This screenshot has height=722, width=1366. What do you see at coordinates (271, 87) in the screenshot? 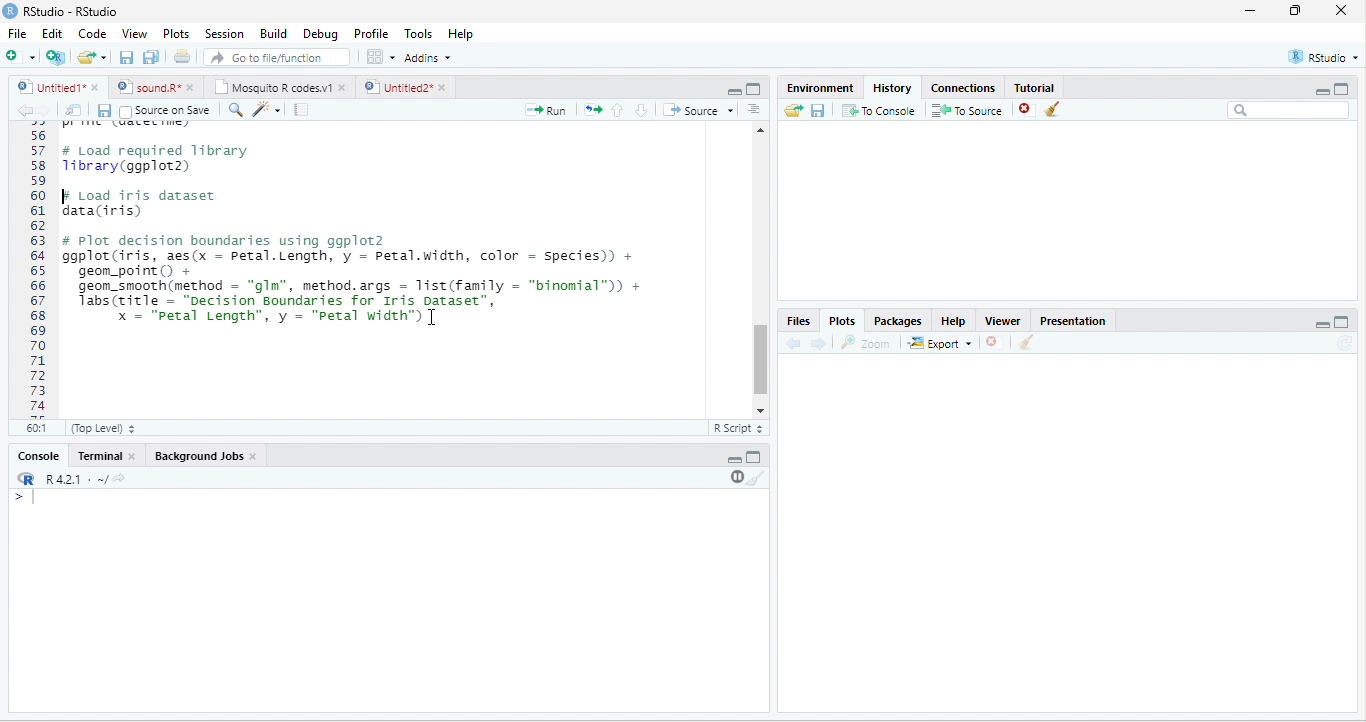
I see `Mosquito R codes.v1` at bounding box center [271, 87].